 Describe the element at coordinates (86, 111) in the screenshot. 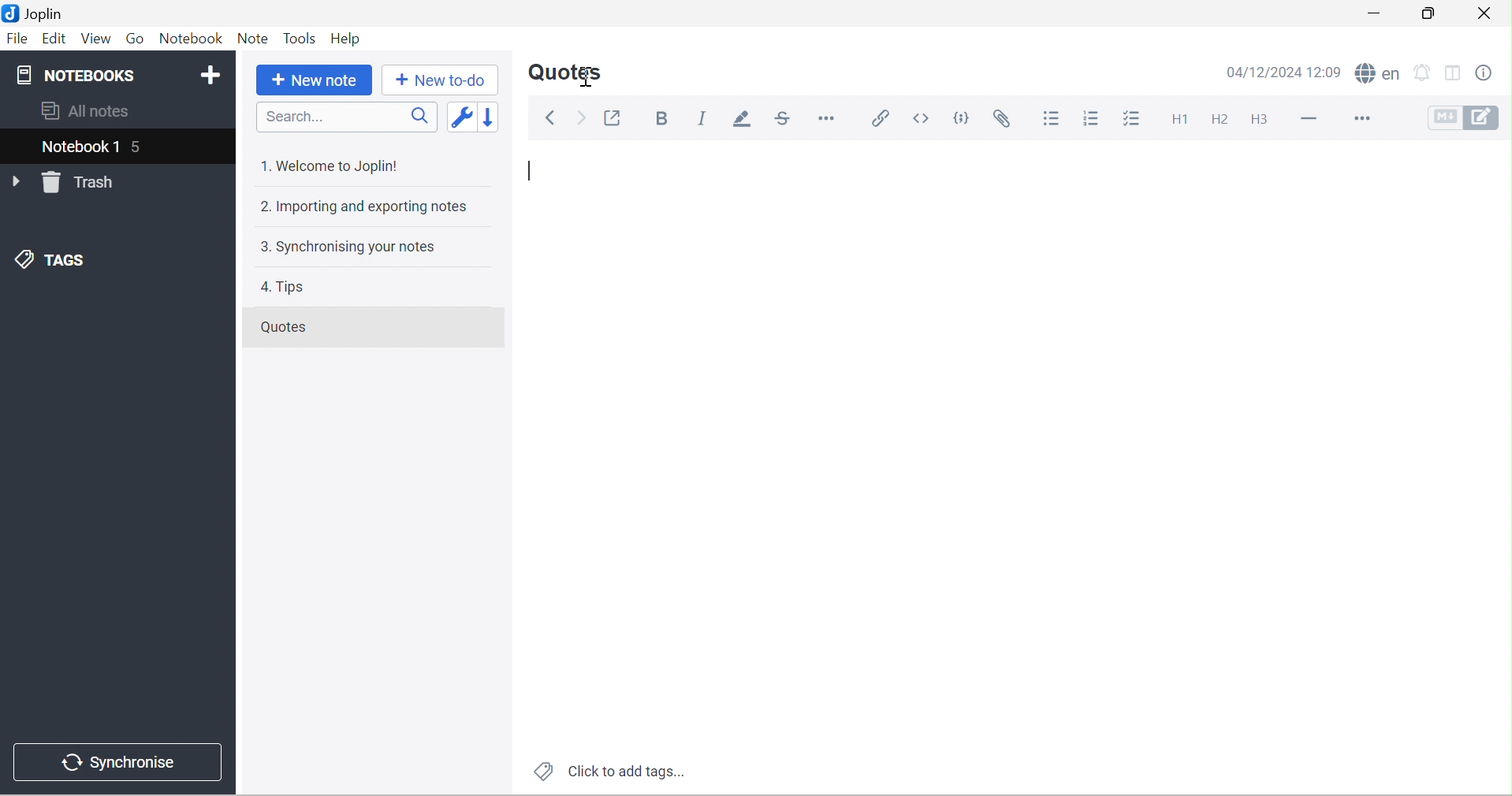

I see `All notes` at that location.